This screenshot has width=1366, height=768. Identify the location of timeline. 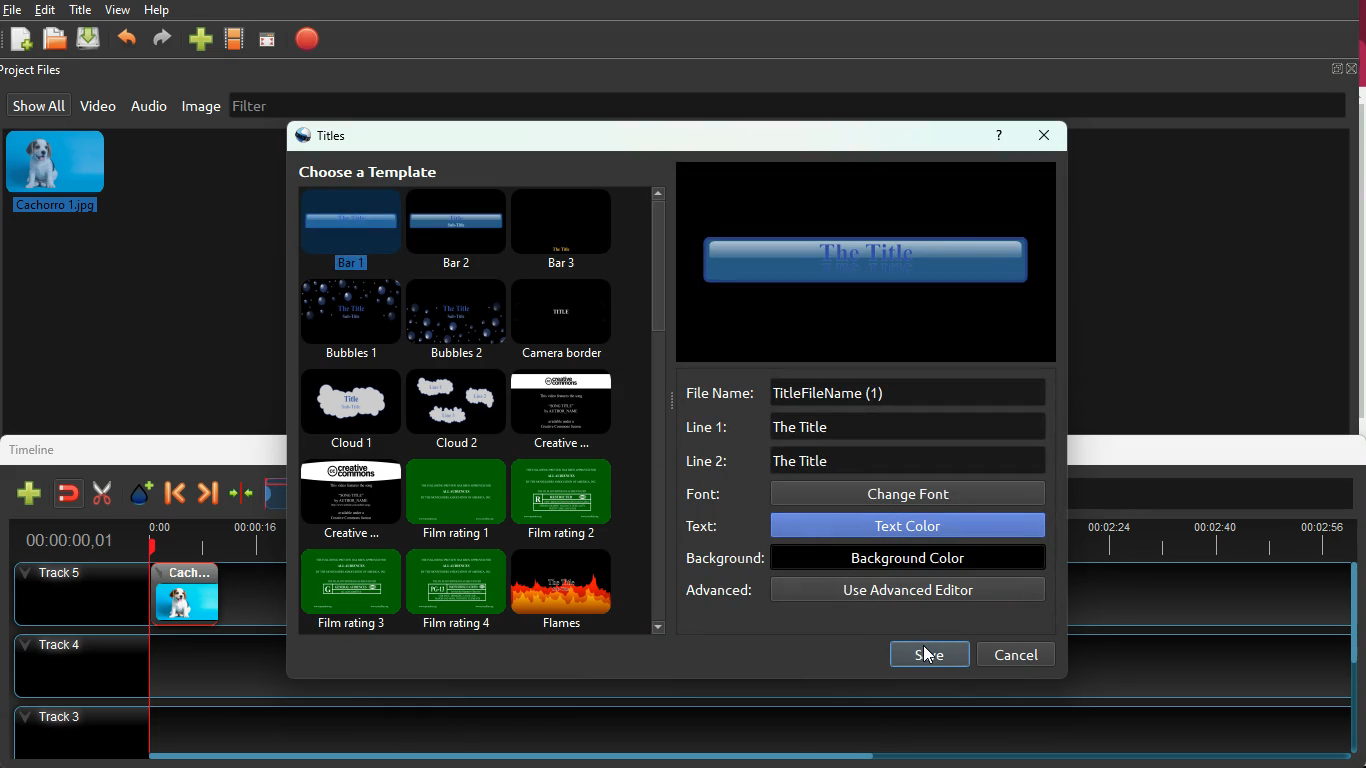
(41, 448).